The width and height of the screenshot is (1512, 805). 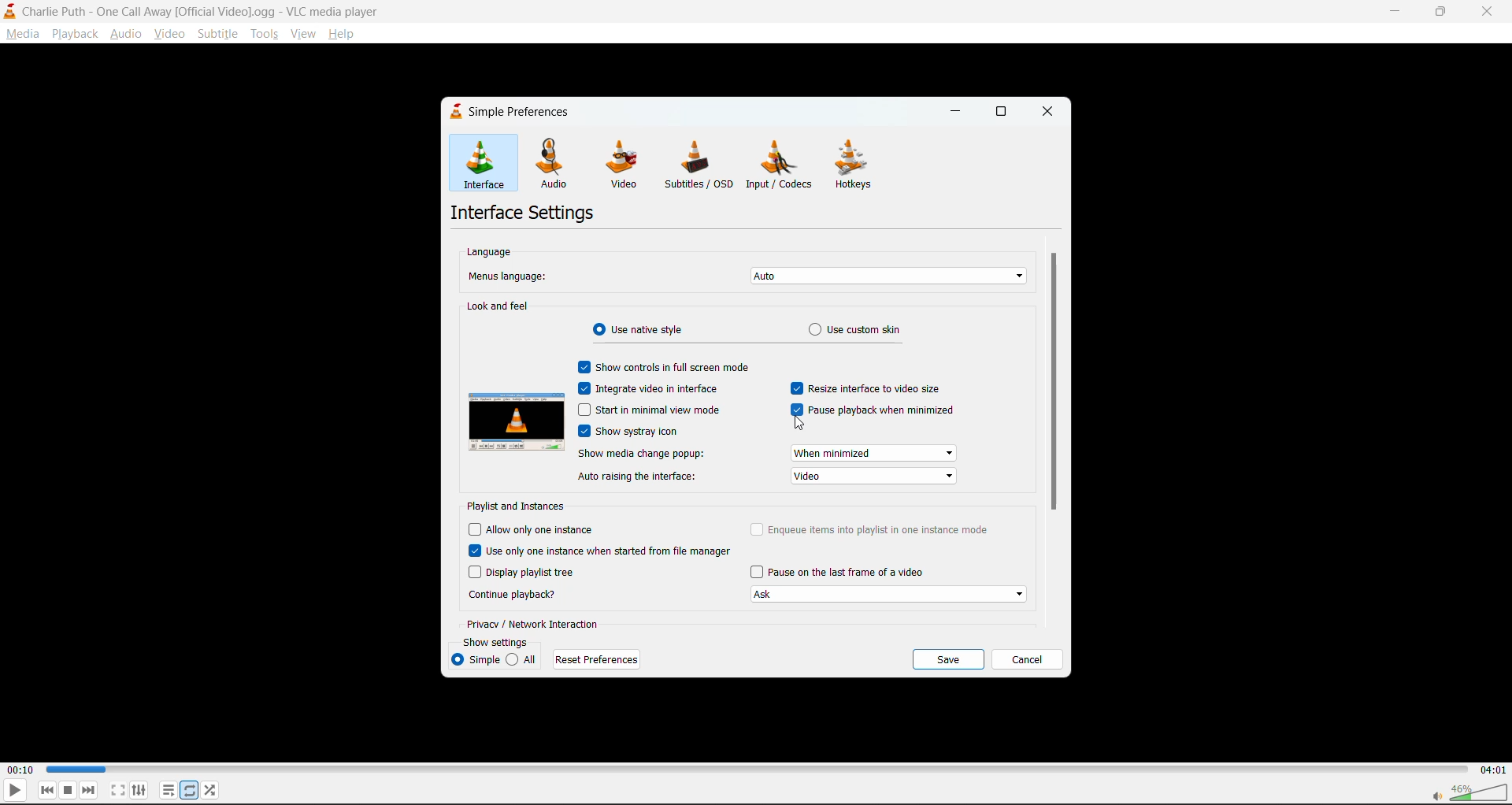 What do you see at coordinates (22, 766) in the screenshot?
I see `00:10` at bounding box center [22, 766].